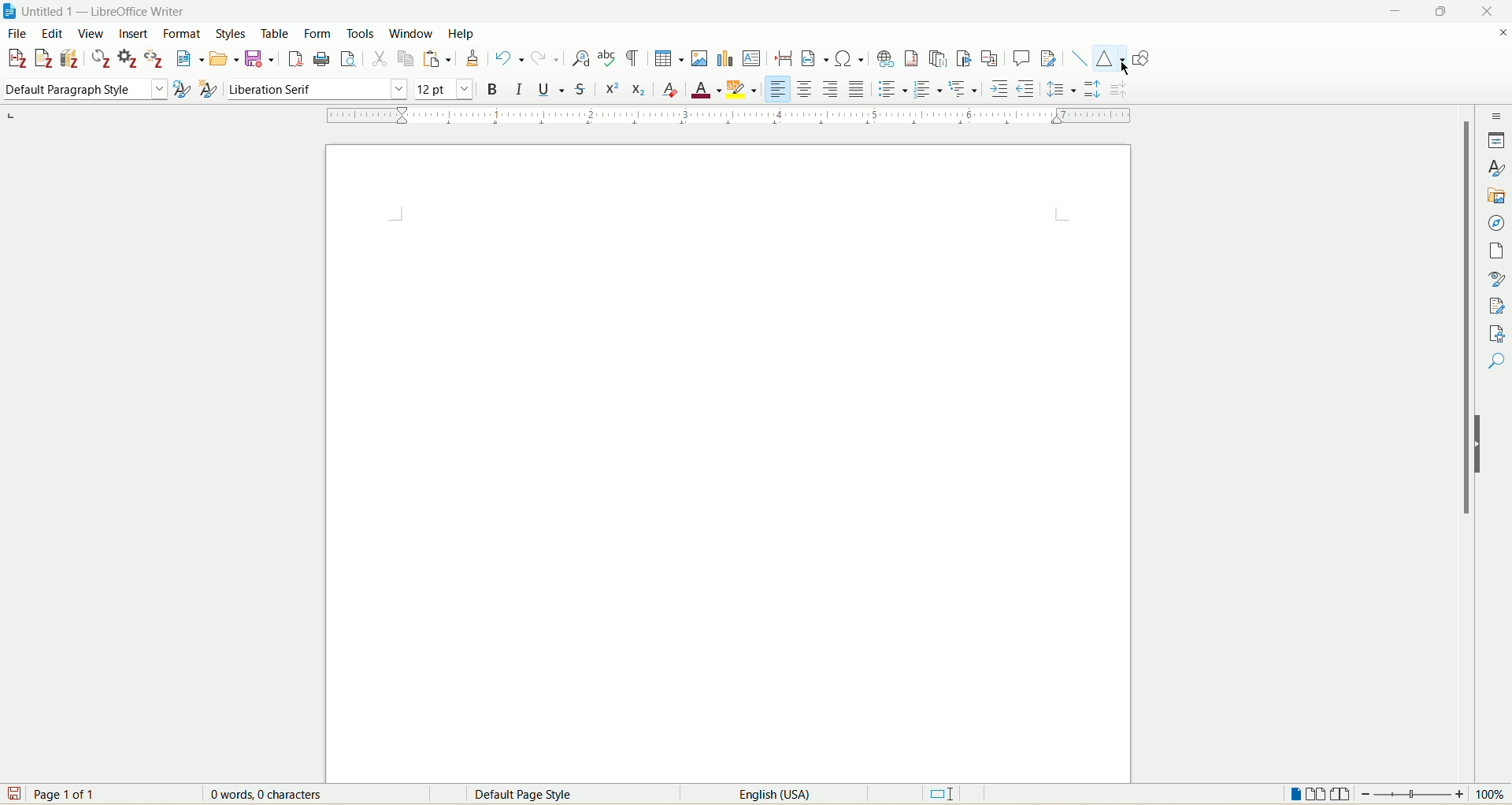 Image resolution: width=1512 pixels, height=805 pixels. Describe the element at coordinates (1497, 333) in the screenshot. I see `accessibility check` at that location.